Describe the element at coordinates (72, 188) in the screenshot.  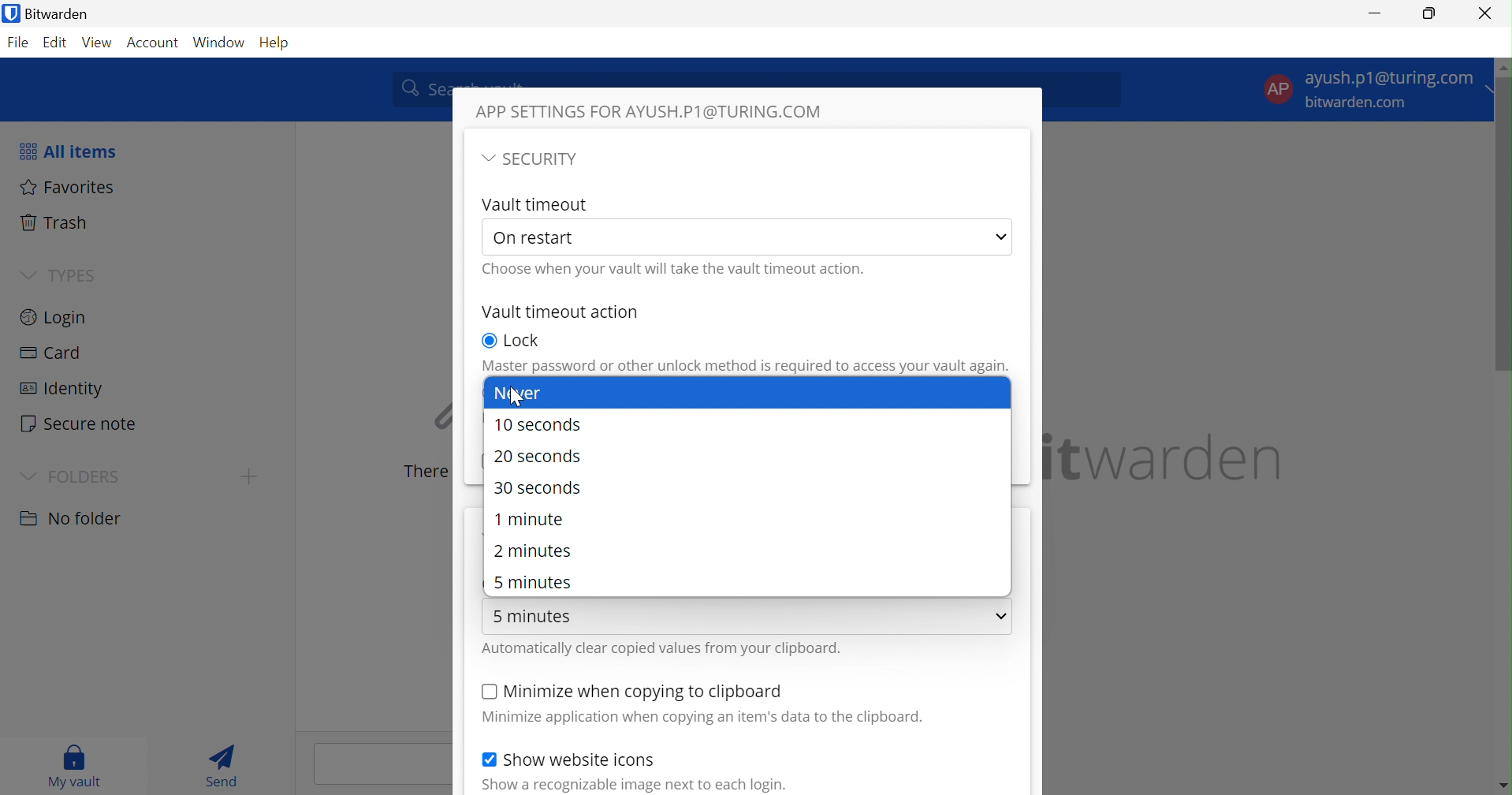
I see `Favorites` at that location.